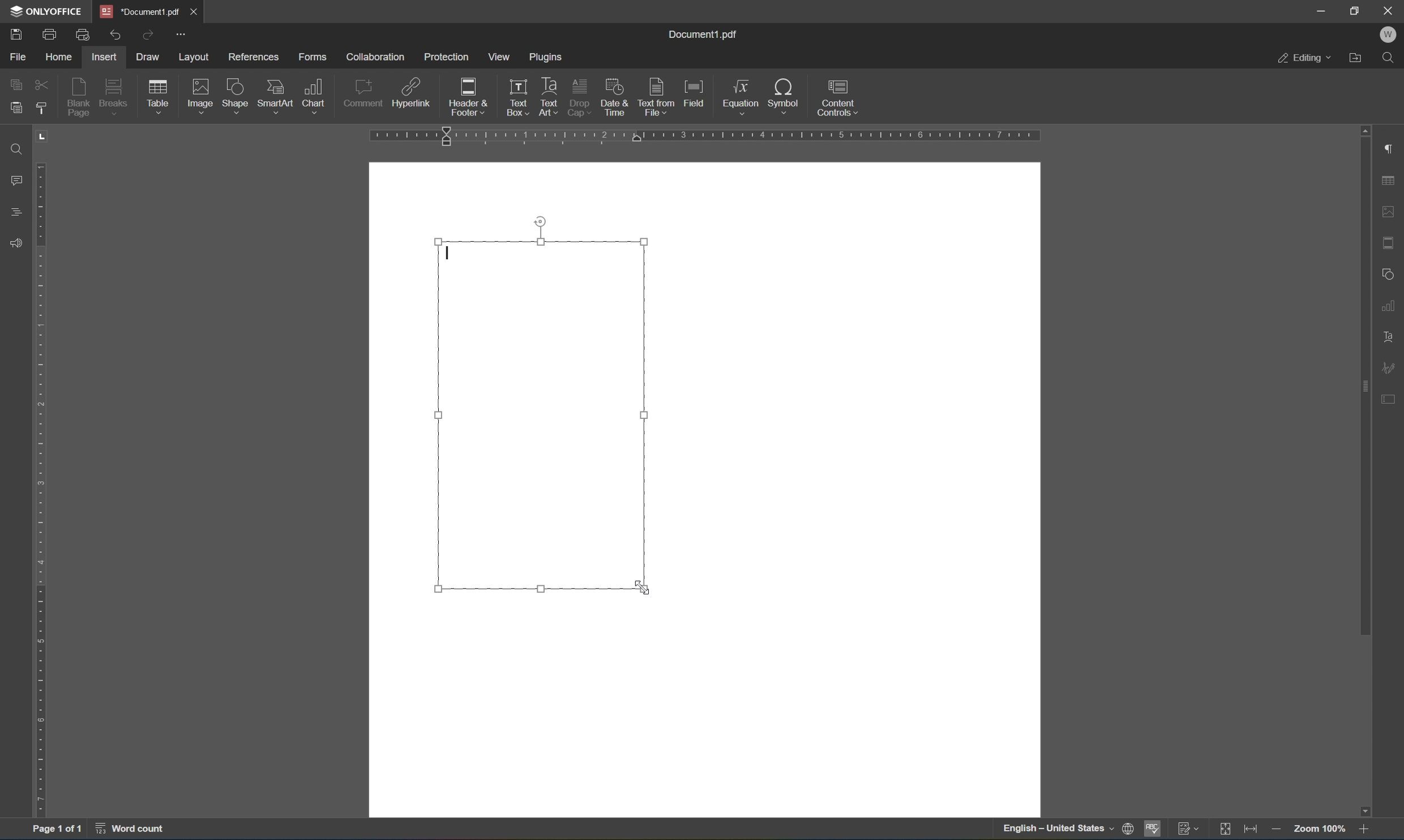 Image resolution: width=1404 pixels, height=840 pixels. I want to click on Find, so click(18, 150).